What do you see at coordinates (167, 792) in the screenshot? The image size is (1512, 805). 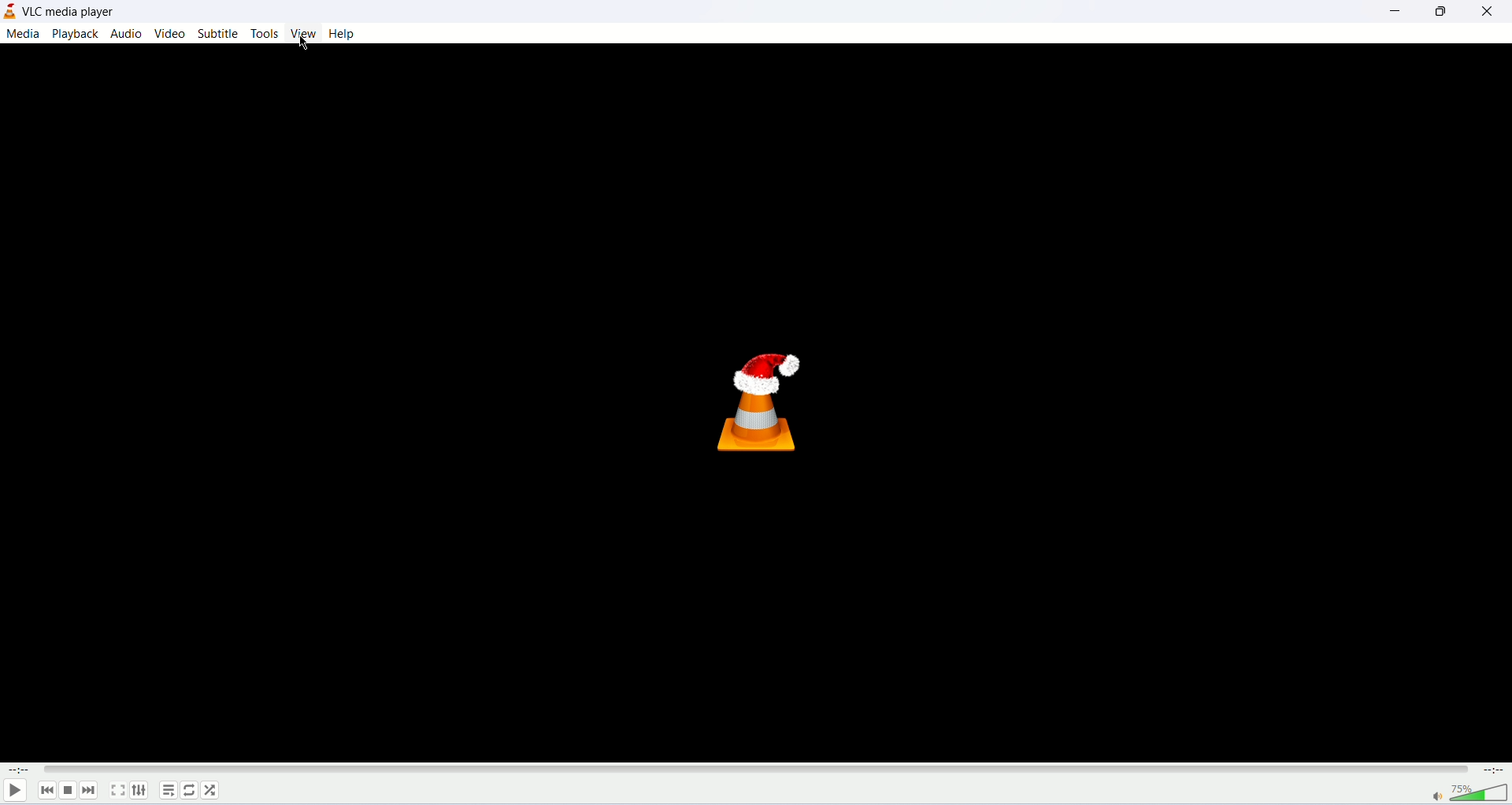 I see `playlist` at bounding box center [167, 792].